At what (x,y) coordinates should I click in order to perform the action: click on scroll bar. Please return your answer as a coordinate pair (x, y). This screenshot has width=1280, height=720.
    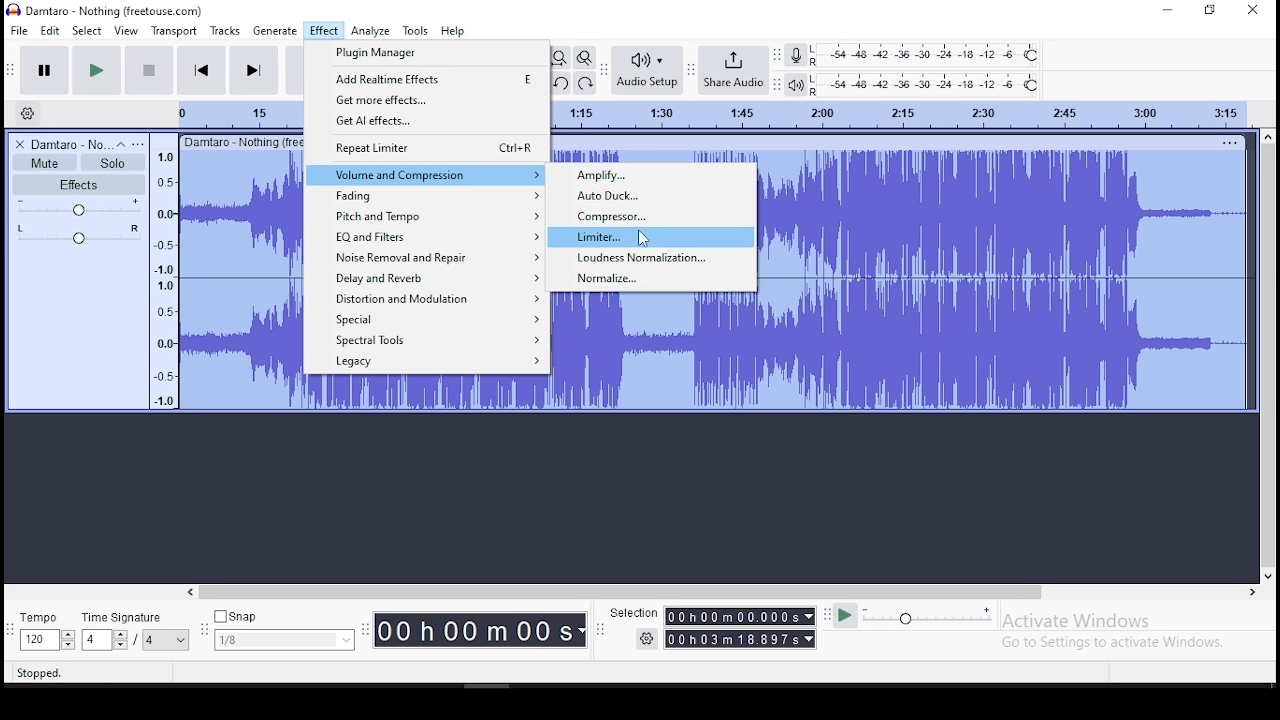
    Looking at the image, I should click on (1268, 356).